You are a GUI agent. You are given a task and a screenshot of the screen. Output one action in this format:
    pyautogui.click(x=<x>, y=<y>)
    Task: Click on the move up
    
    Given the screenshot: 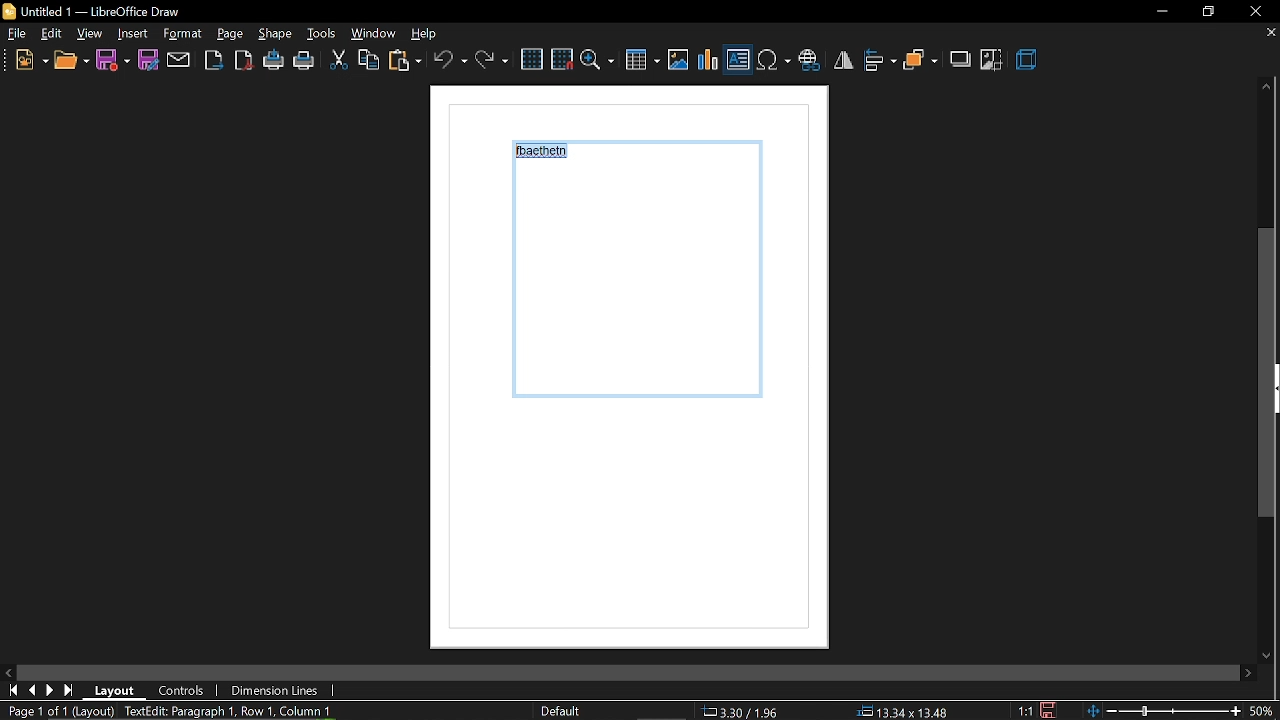 What is the action you would take?
    pyautogui.click(x=1267, y=88)
    